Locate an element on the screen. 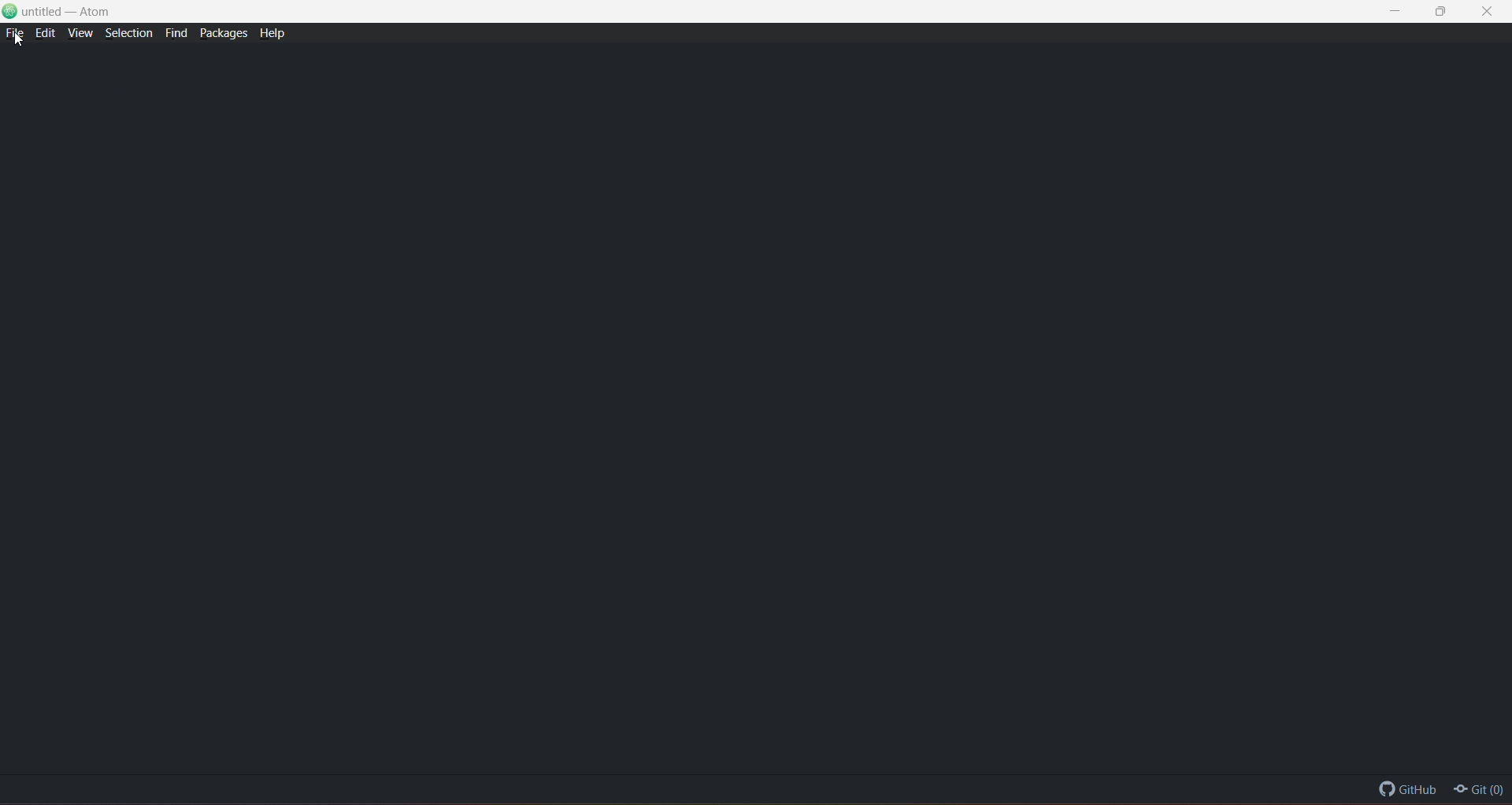 The width and height of the screenshot is (1512, 805). GitHub is located at coordinates (1393, 785).